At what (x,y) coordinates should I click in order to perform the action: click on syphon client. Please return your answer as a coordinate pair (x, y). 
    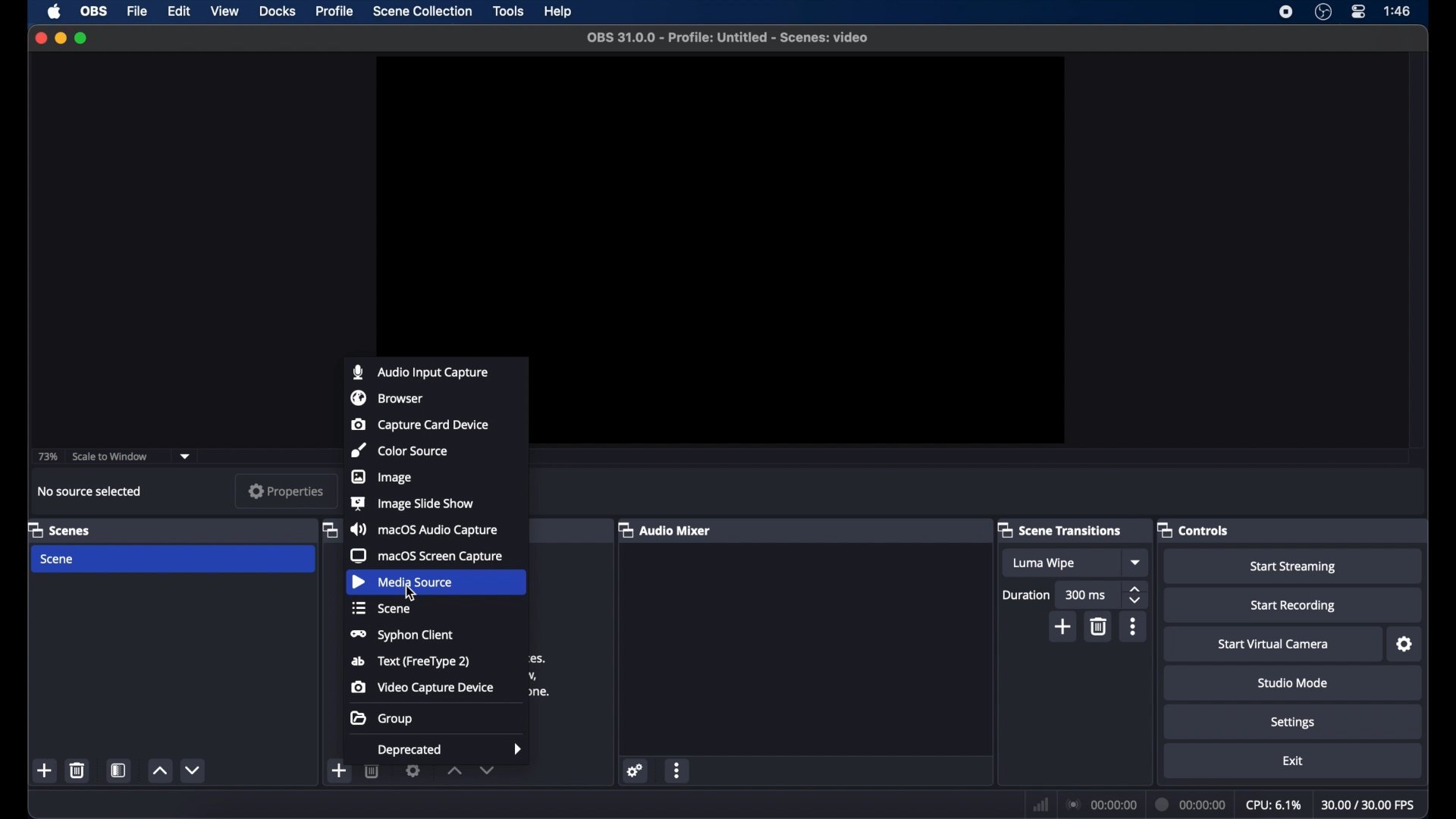
    Looking at the image, I should click on (401, 635).